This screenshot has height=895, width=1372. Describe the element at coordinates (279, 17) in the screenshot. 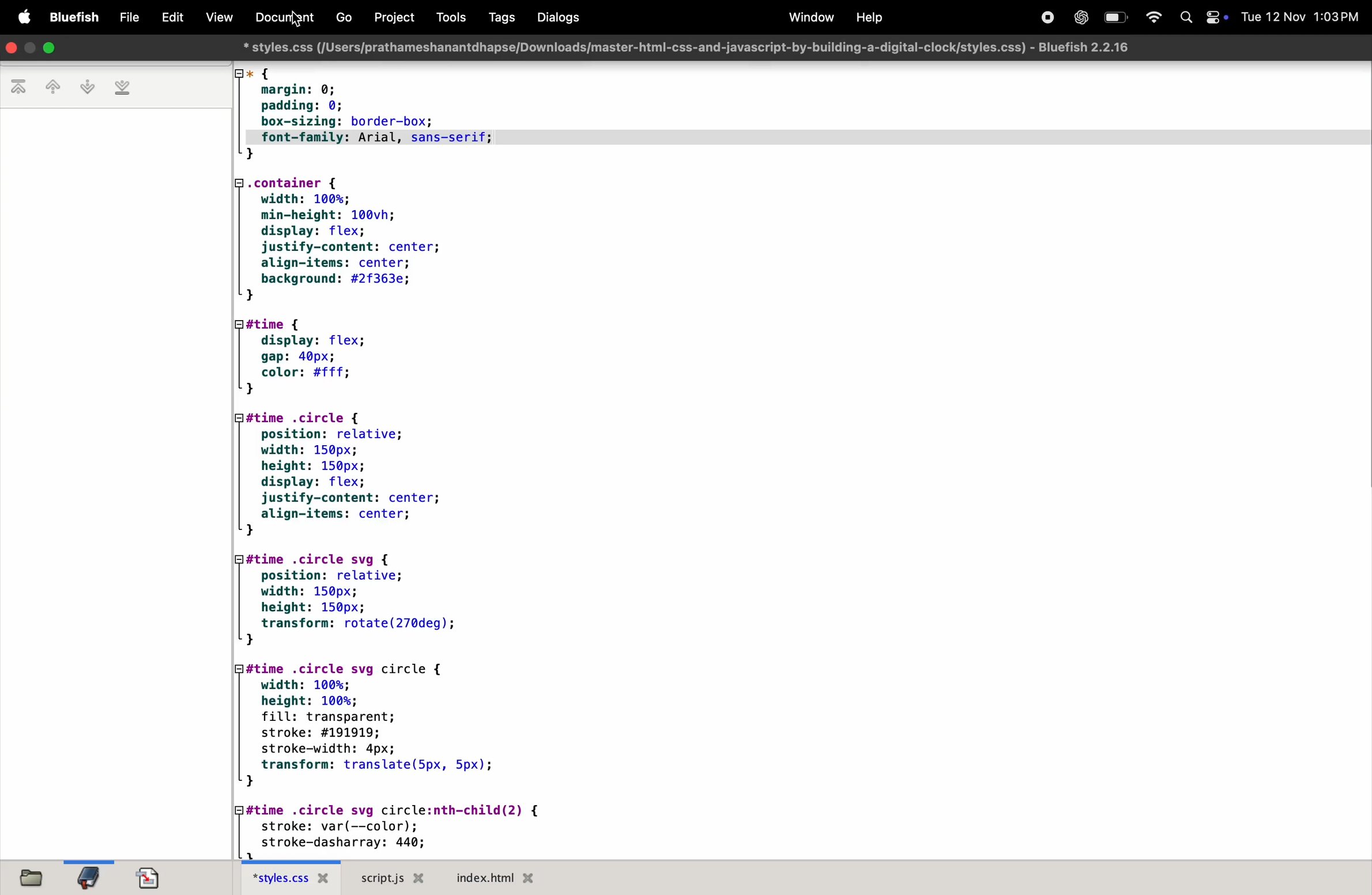

I see `Document` at that location.